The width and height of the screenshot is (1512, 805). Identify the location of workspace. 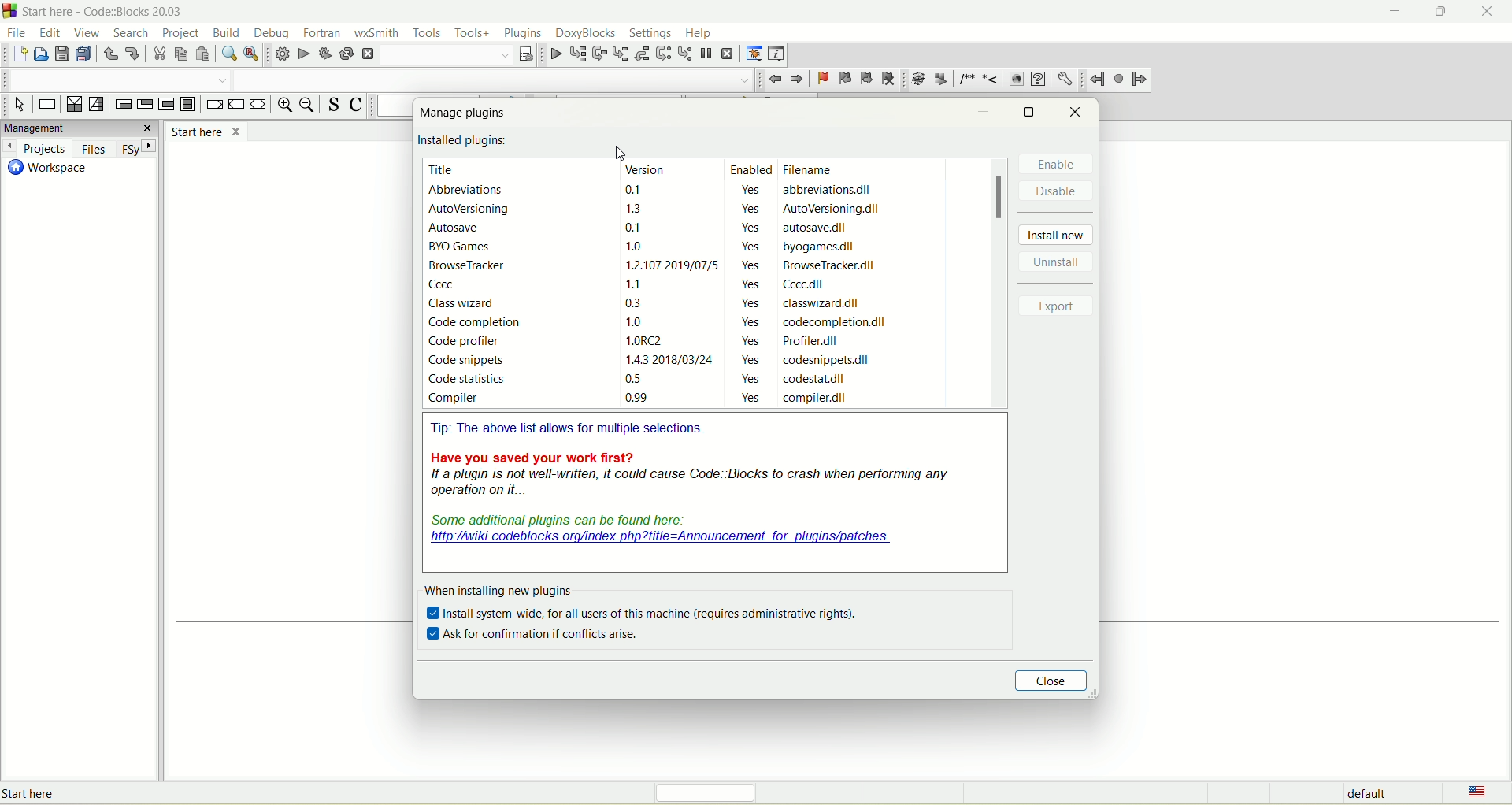
(46, 169).